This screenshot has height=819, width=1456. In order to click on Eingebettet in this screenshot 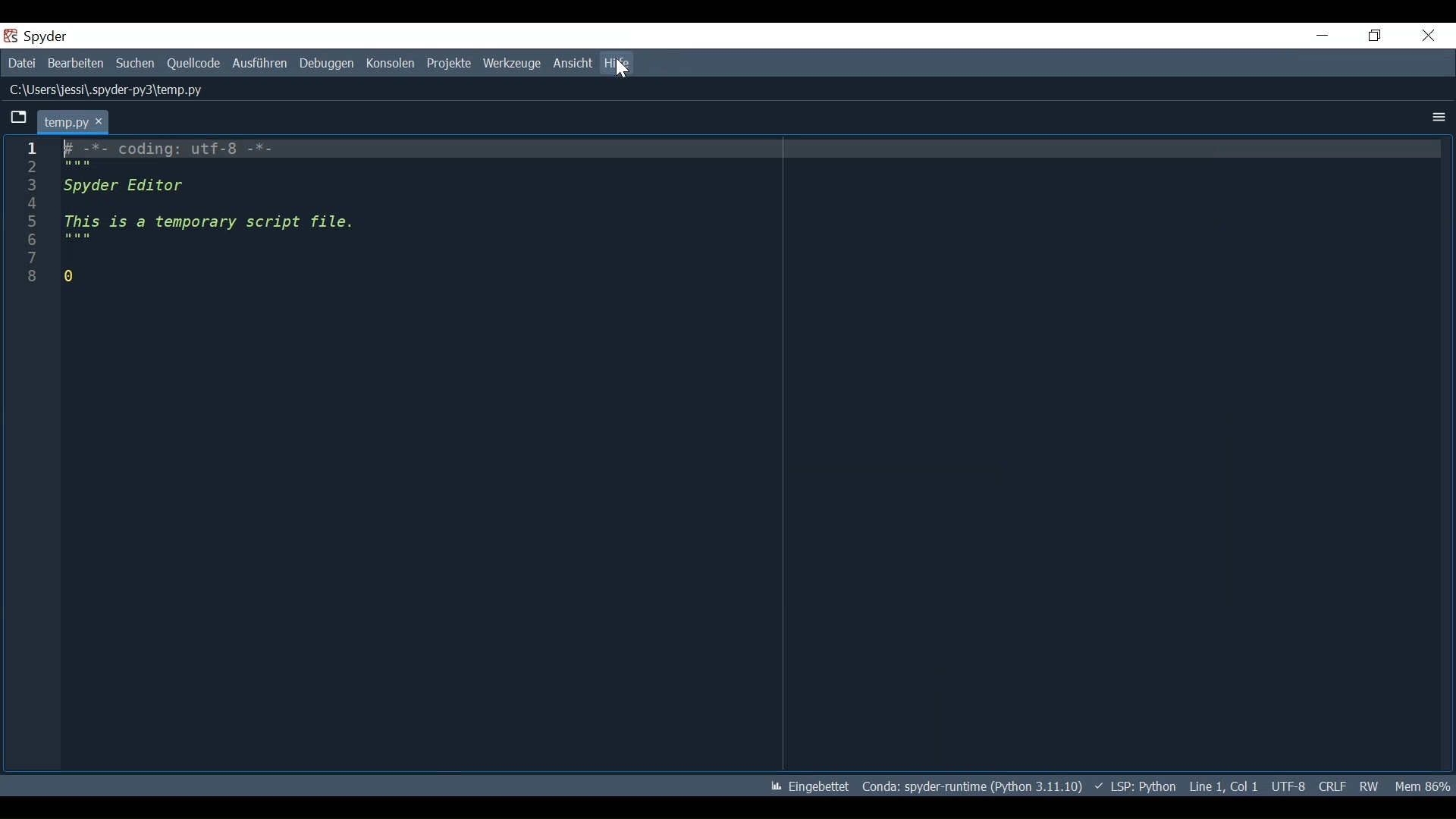, I will do `click(811, 787)`.